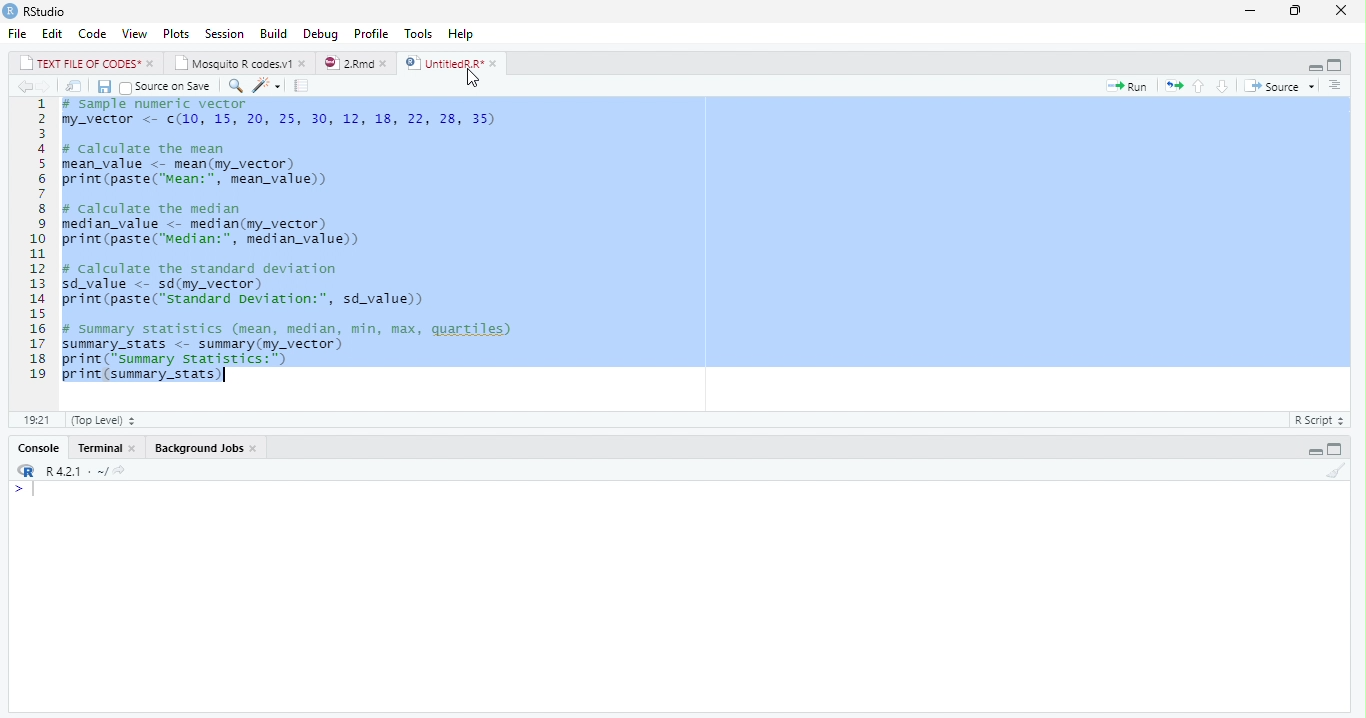 The image size is (1366, 718). What do you see at coordinates (1250, 12) in the screenshot?
I see `minimize` at bounding box center [1250, 12].